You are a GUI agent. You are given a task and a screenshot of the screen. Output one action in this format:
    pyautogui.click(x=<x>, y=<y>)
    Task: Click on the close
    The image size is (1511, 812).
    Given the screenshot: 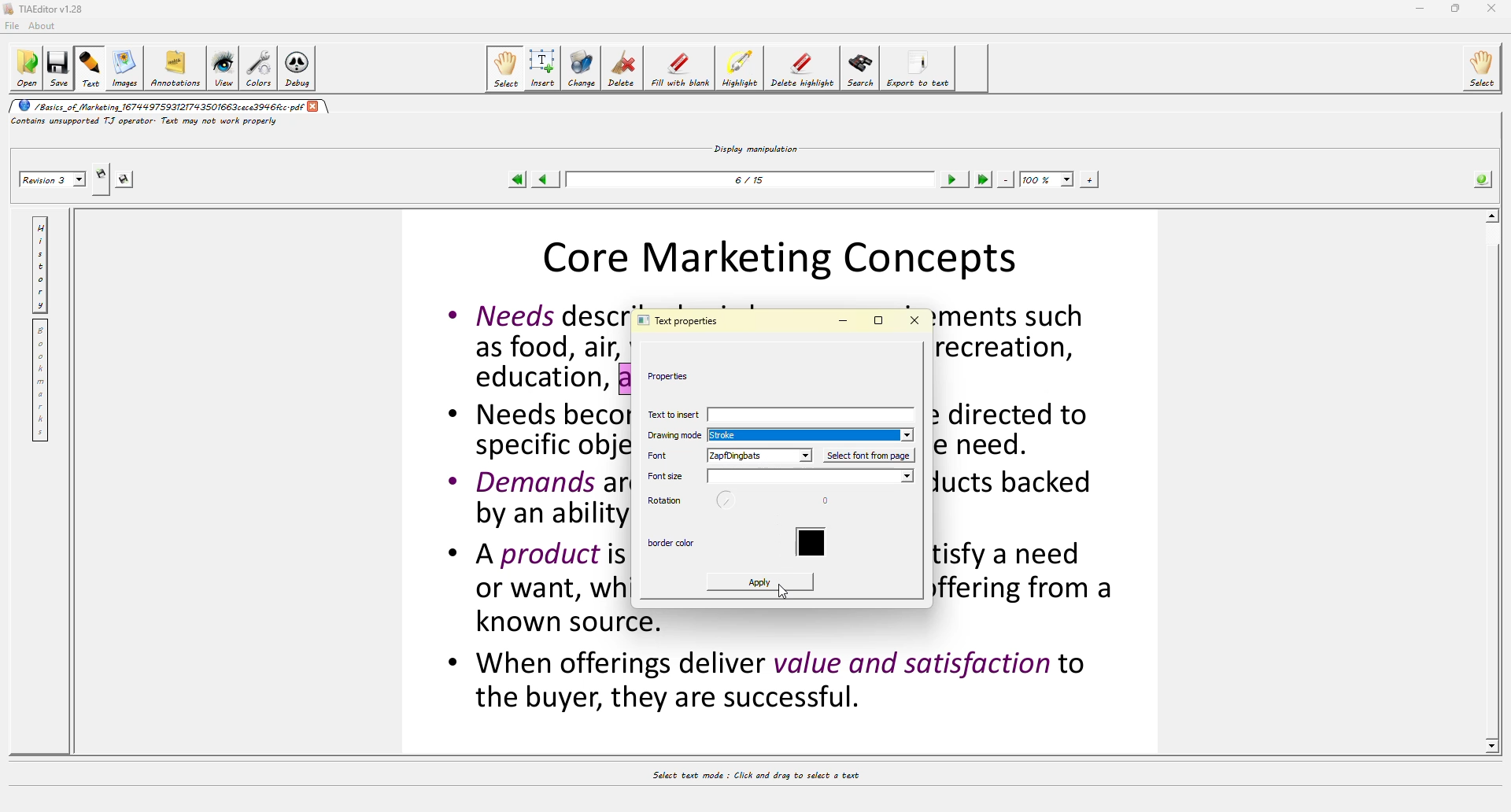 What is the action you would take?
    pyautogui.click(x=1493, y=7)
    